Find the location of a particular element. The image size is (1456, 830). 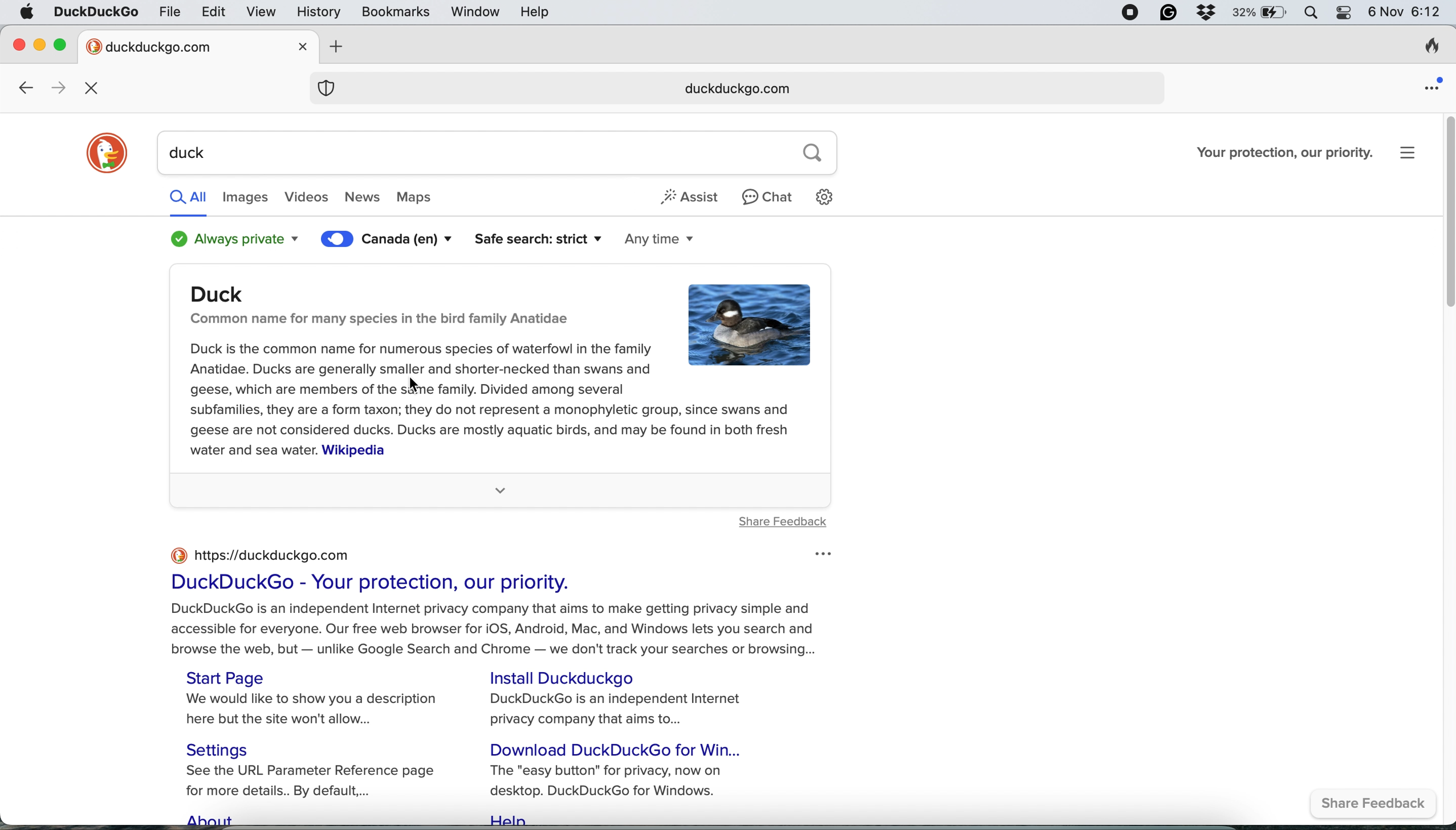

settings is located at coordinates (829, 197).